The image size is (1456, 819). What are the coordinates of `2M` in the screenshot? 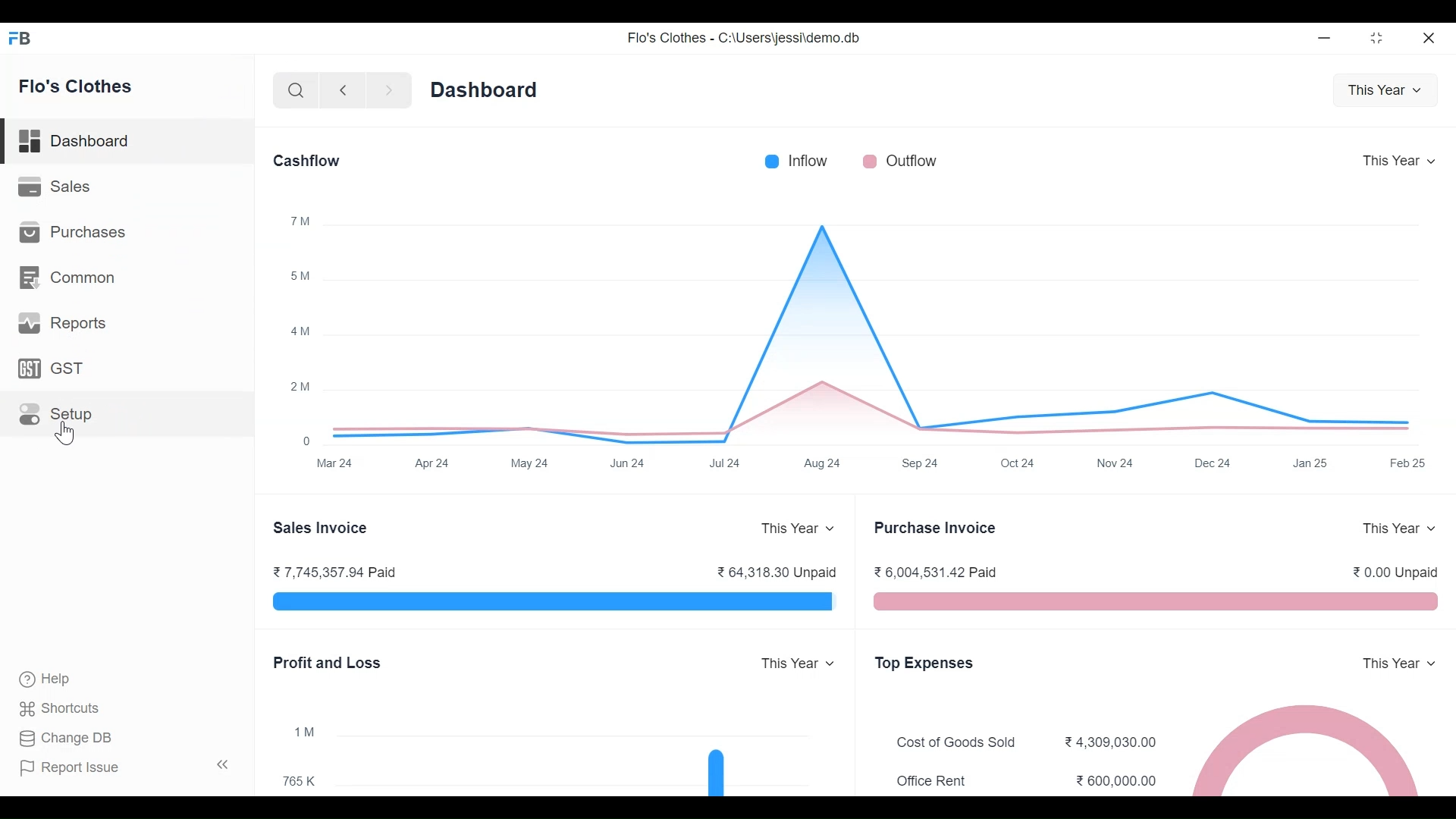 It's located at (300, 386).